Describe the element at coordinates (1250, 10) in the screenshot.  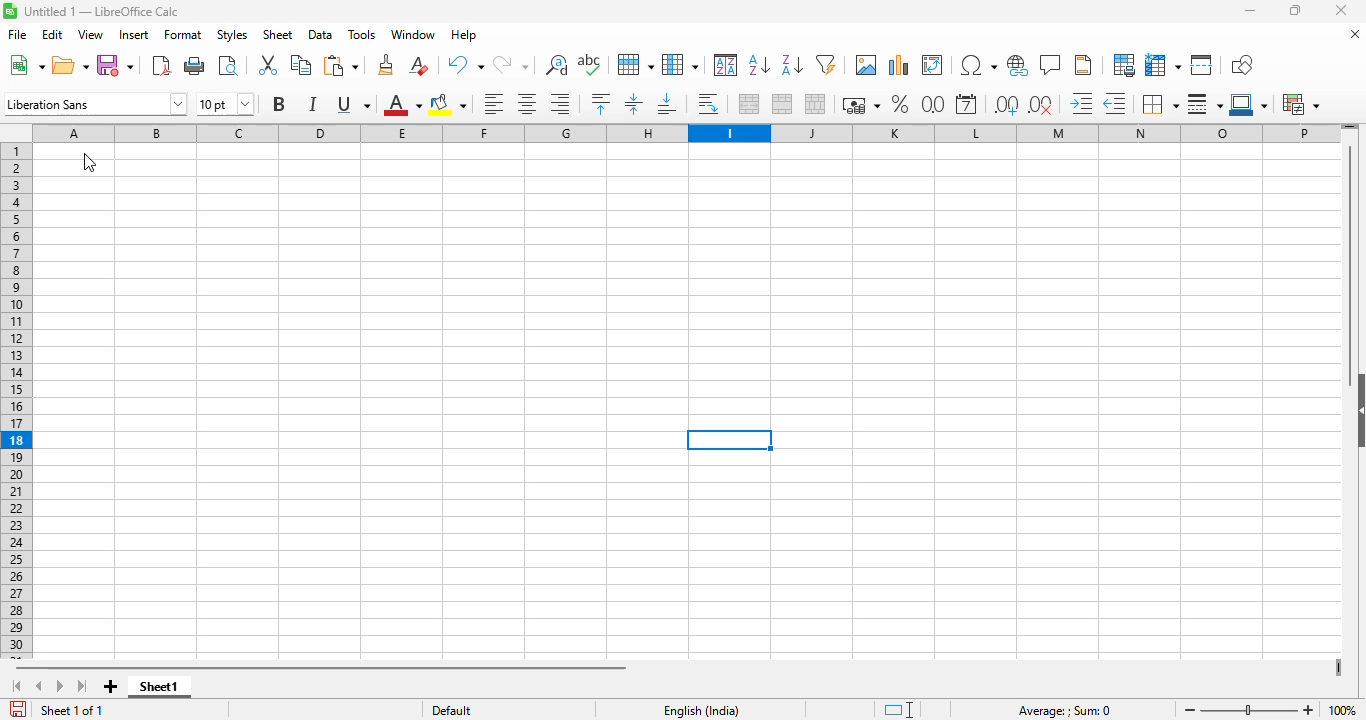
I see `minimize` at that location.